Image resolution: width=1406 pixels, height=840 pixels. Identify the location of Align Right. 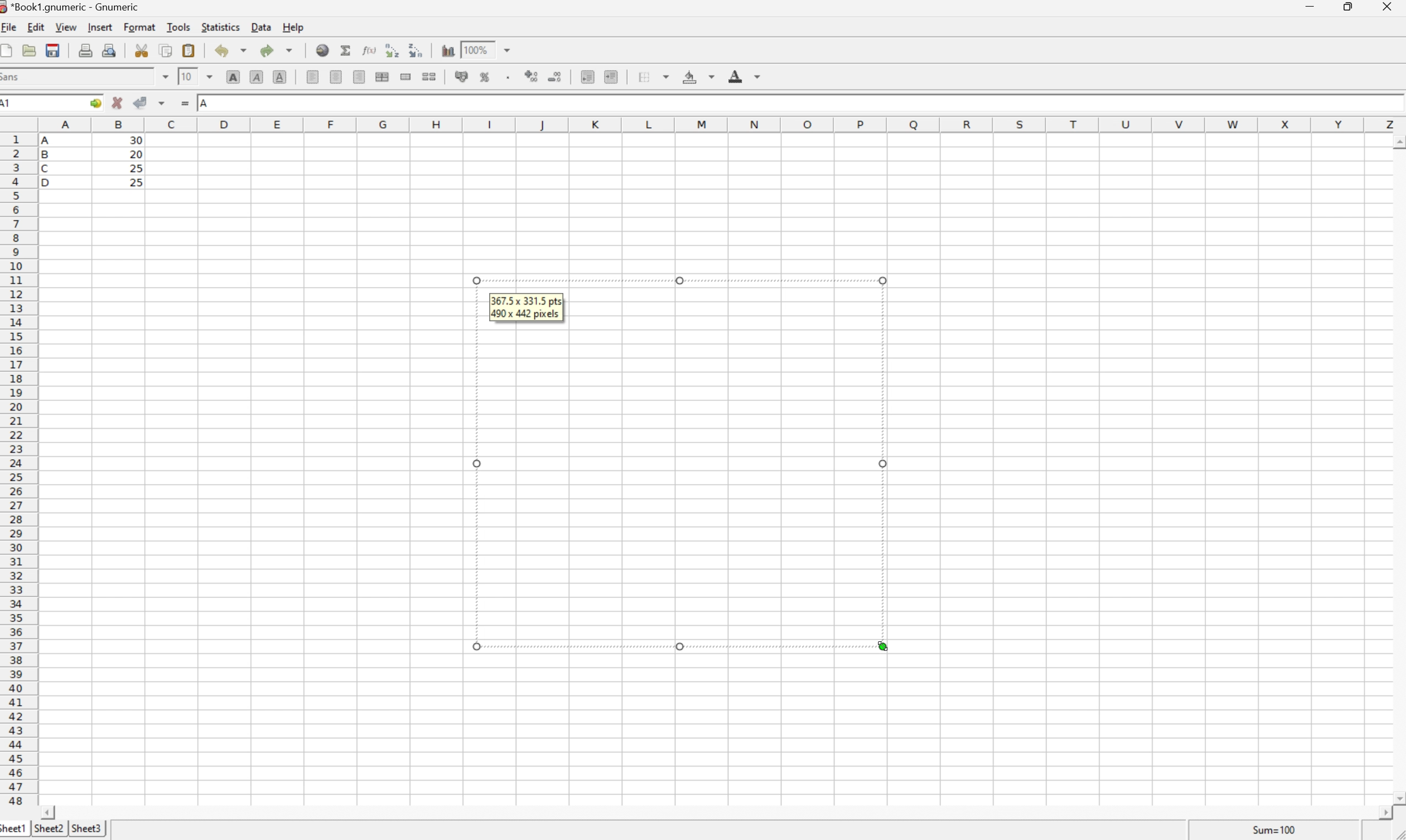
(360, 77).